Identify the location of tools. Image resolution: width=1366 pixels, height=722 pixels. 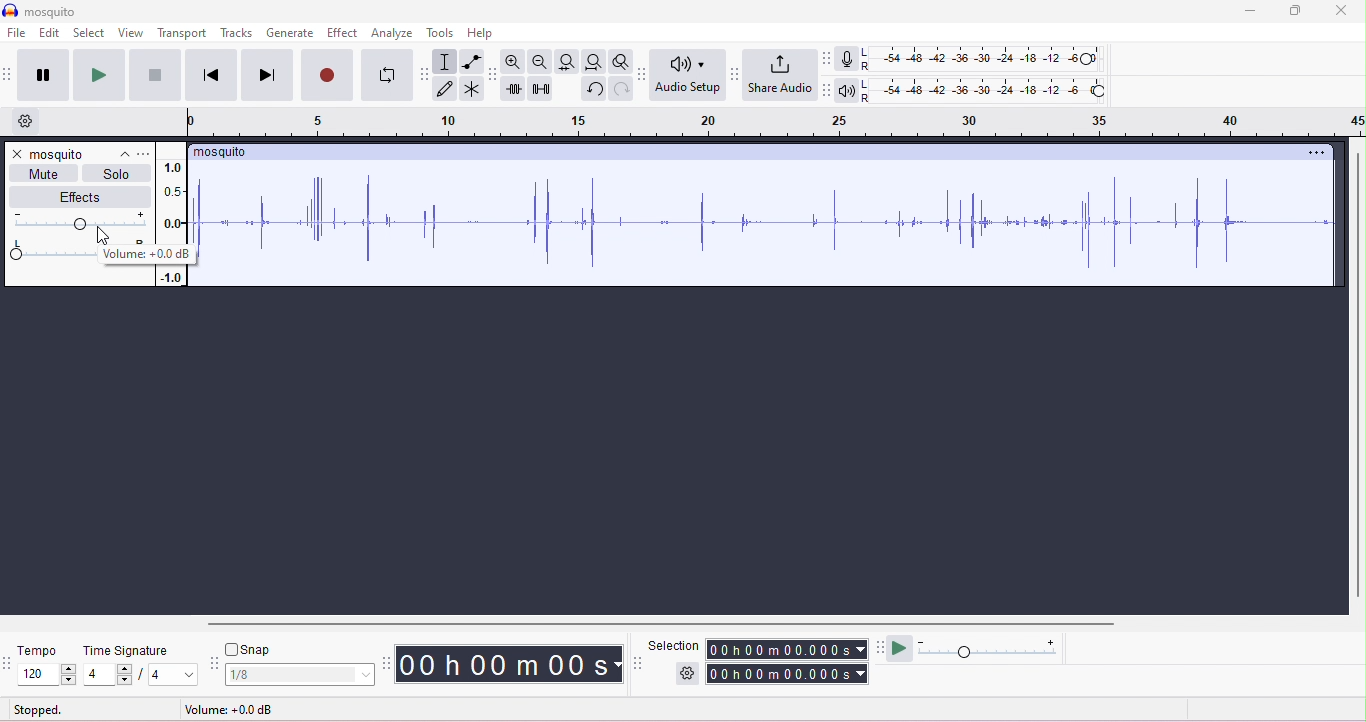
(440, 34).